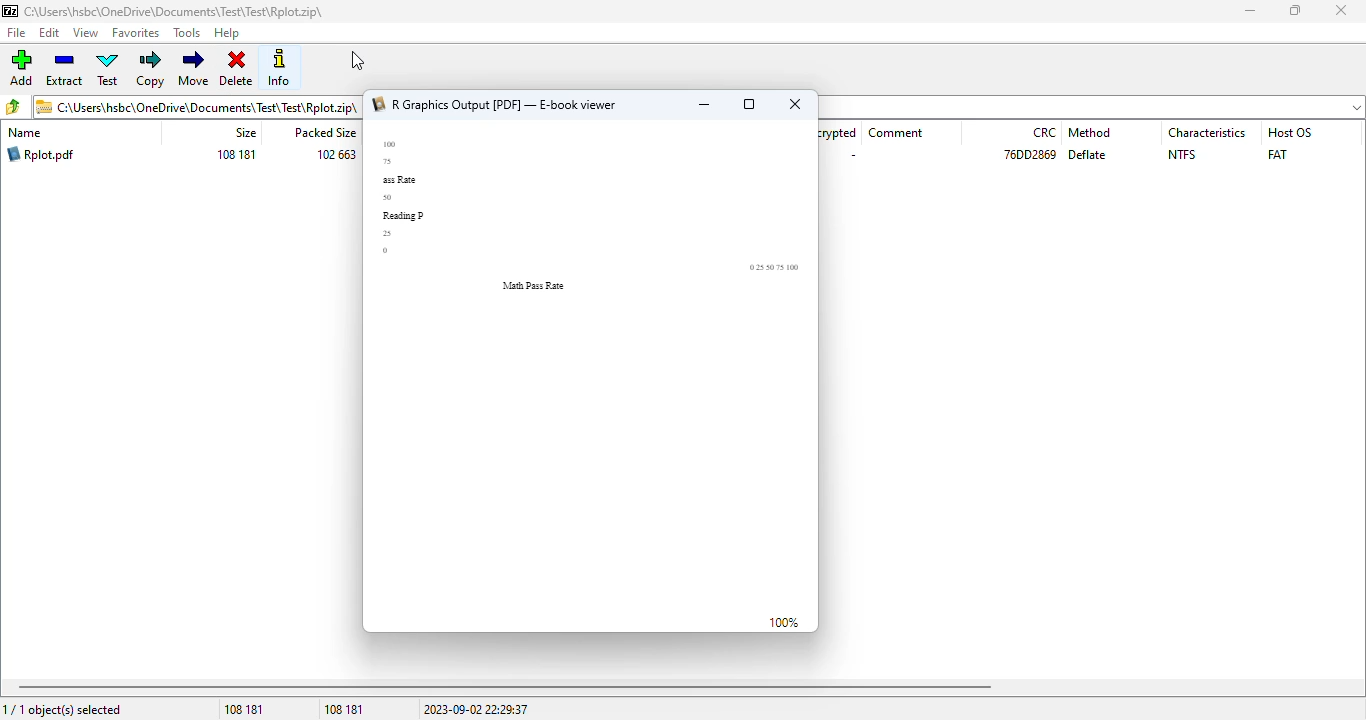 Image resolution: width=1366 pixels, height=720 pixels. Describe the element at coordinates (1278, 155) in the screenshot. I see `FAT` at that location.